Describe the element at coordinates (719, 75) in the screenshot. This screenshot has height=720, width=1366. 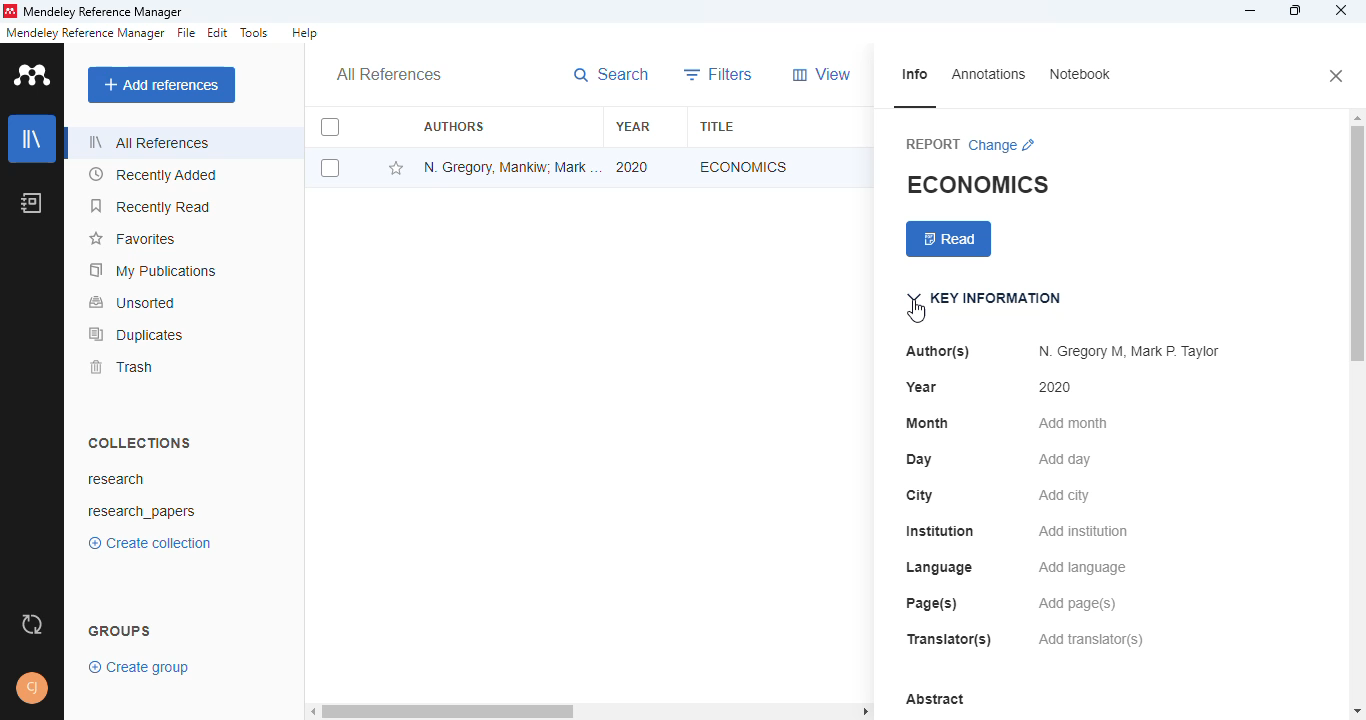
I see `filters` at that location.